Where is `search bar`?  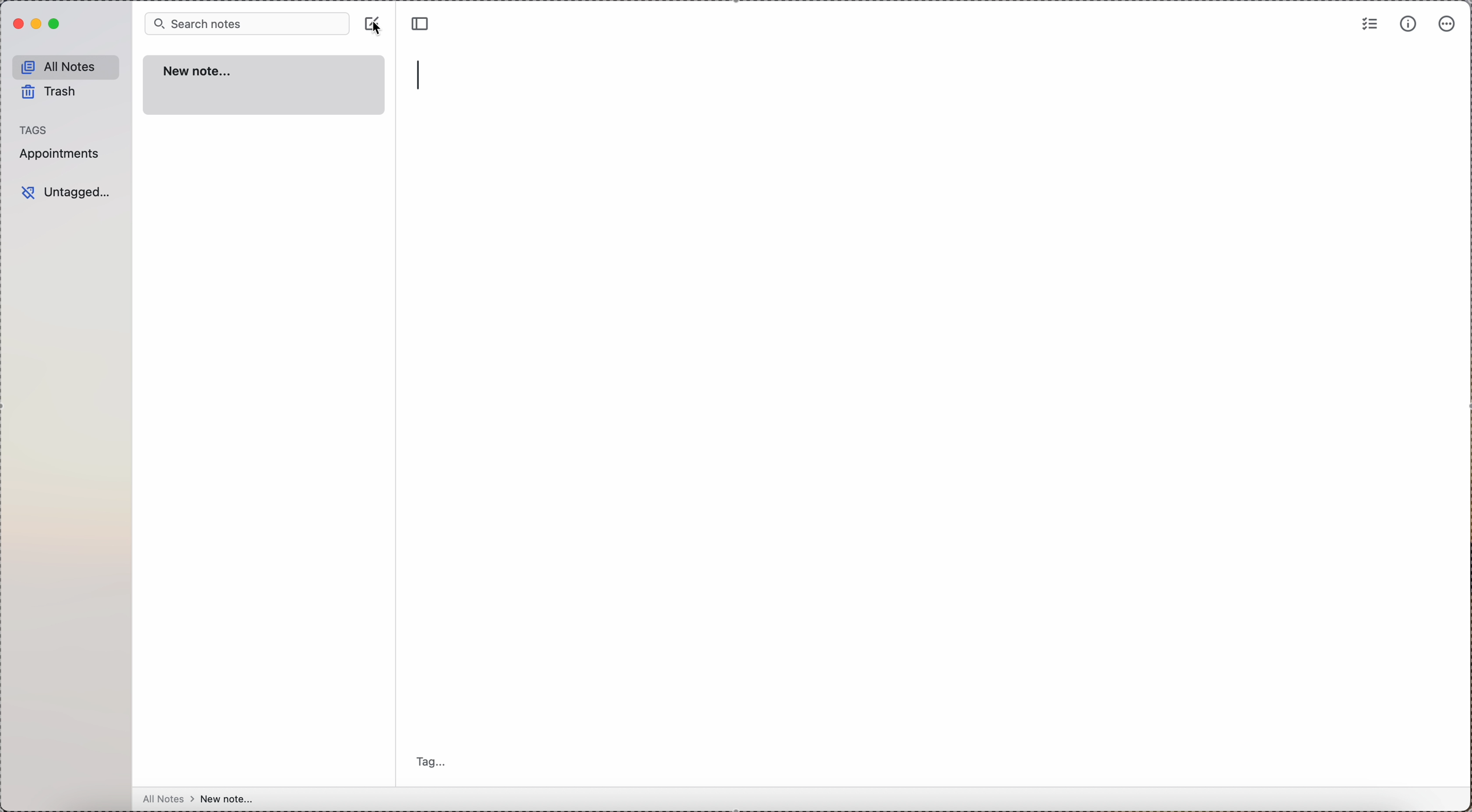 search bar is located at coordinates (245, 23).